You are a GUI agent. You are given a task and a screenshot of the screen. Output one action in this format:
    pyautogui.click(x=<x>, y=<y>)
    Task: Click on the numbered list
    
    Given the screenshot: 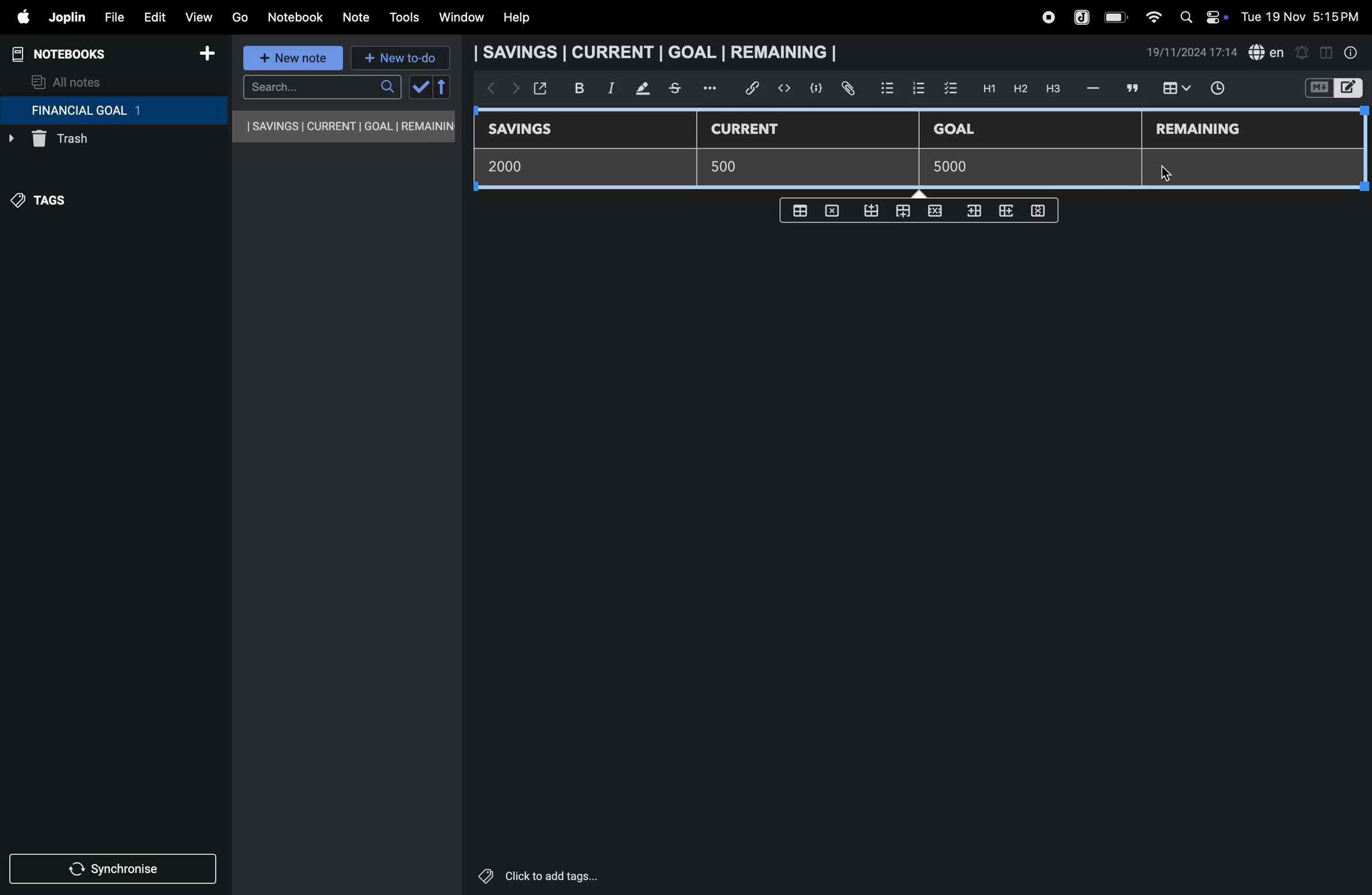 What is the action you would take?
    pyautogui.click(x=918, y=88)
    